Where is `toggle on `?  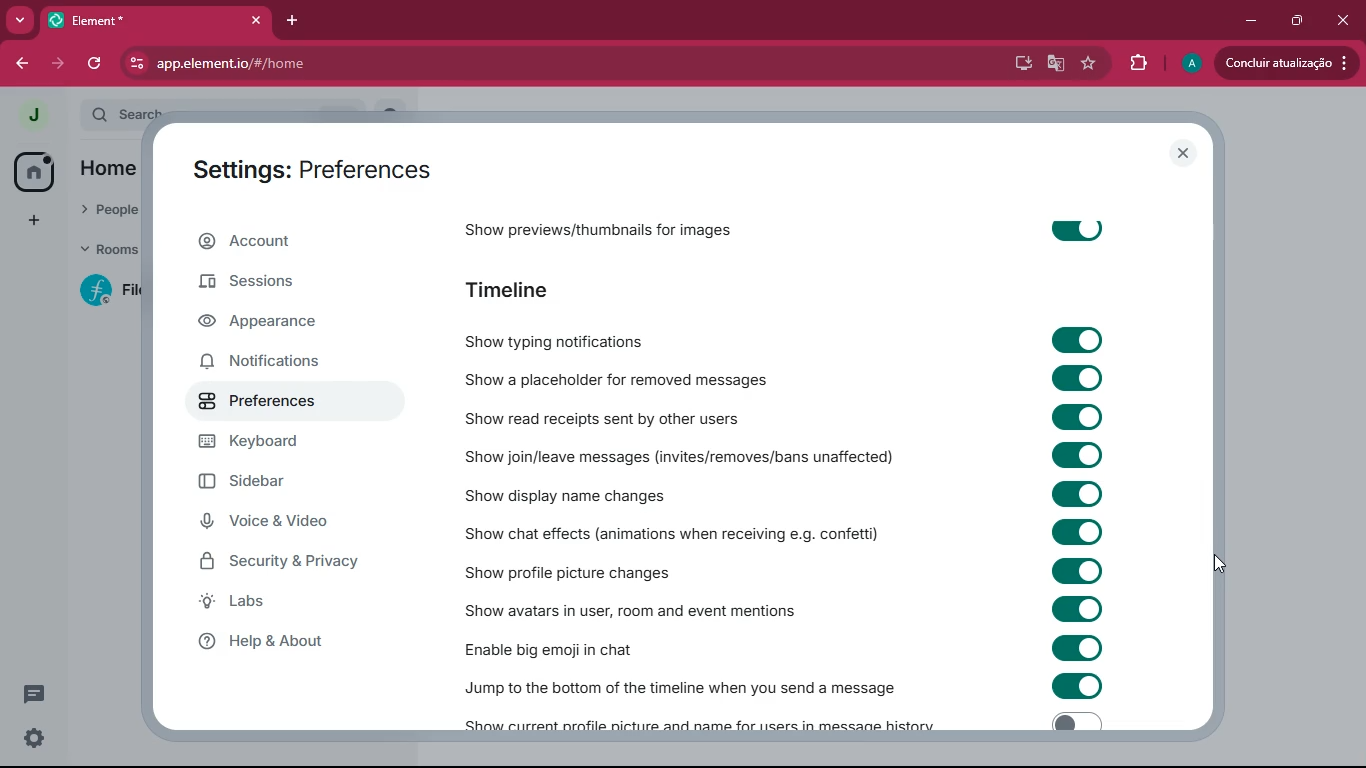
toggle on  is located at coordinates (1076, 493).